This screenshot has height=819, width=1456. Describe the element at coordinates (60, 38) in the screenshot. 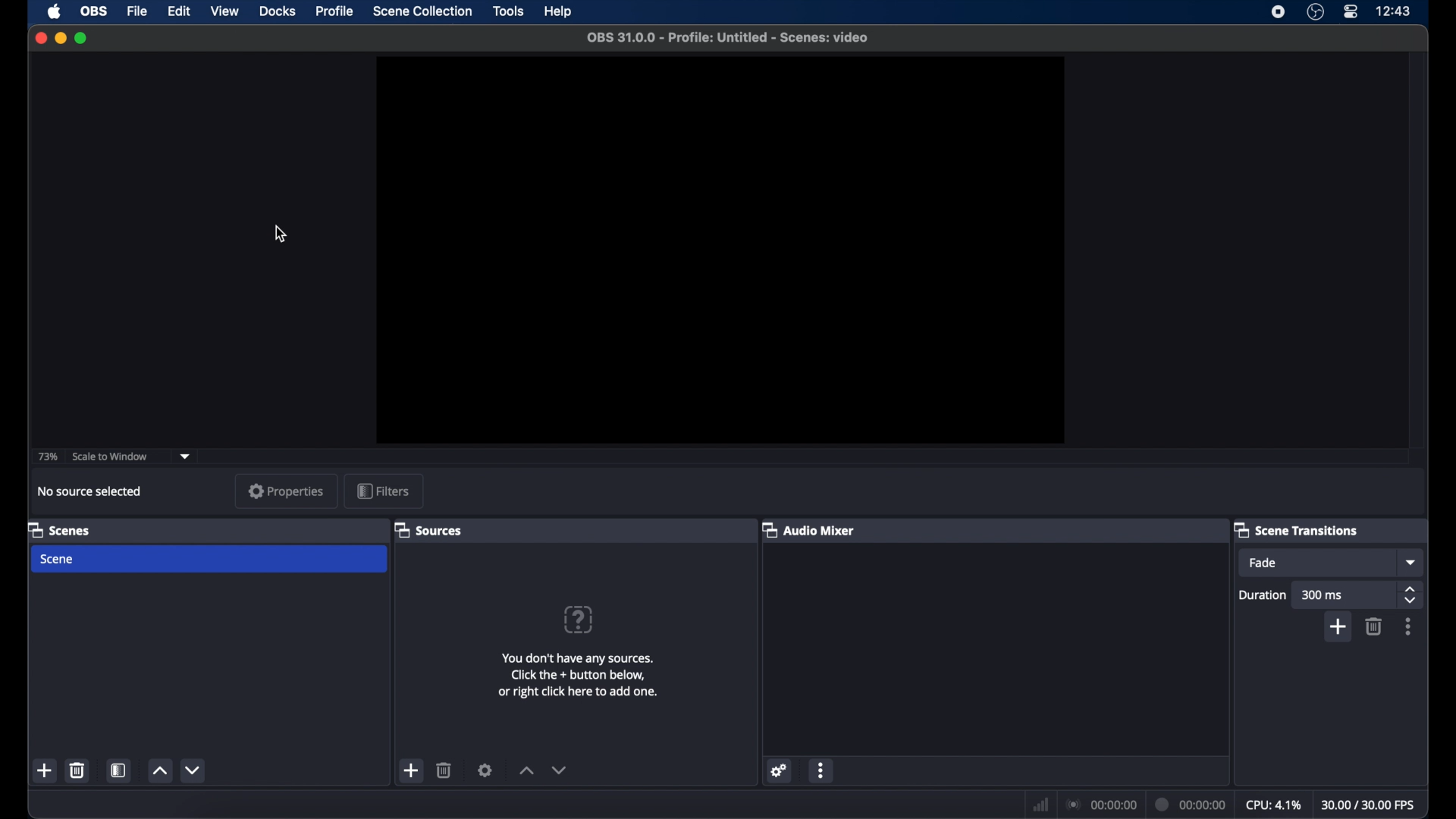

I see `minimize` at that location.